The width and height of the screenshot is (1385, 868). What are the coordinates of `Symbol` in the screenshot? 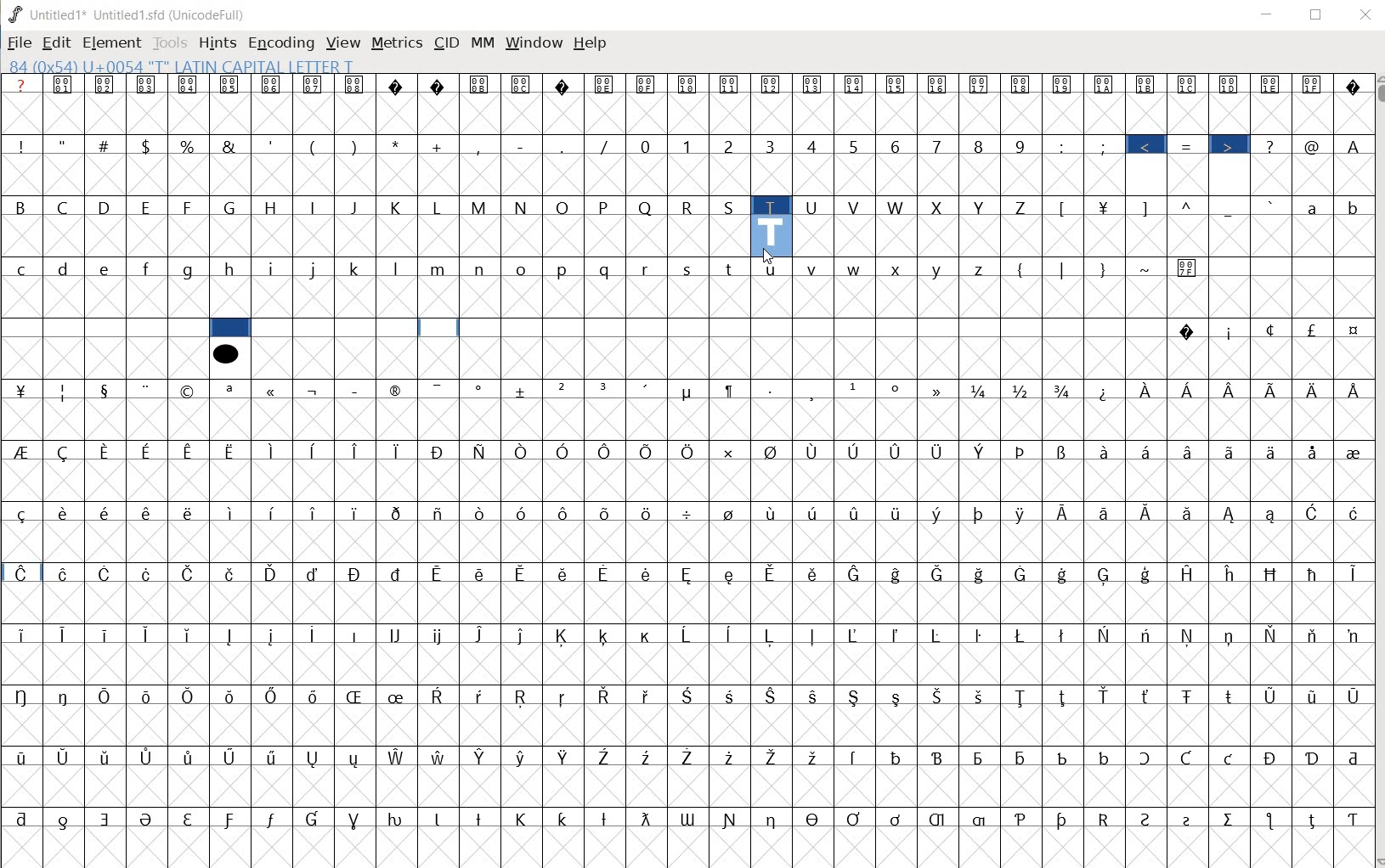 It's located at (21, 451).